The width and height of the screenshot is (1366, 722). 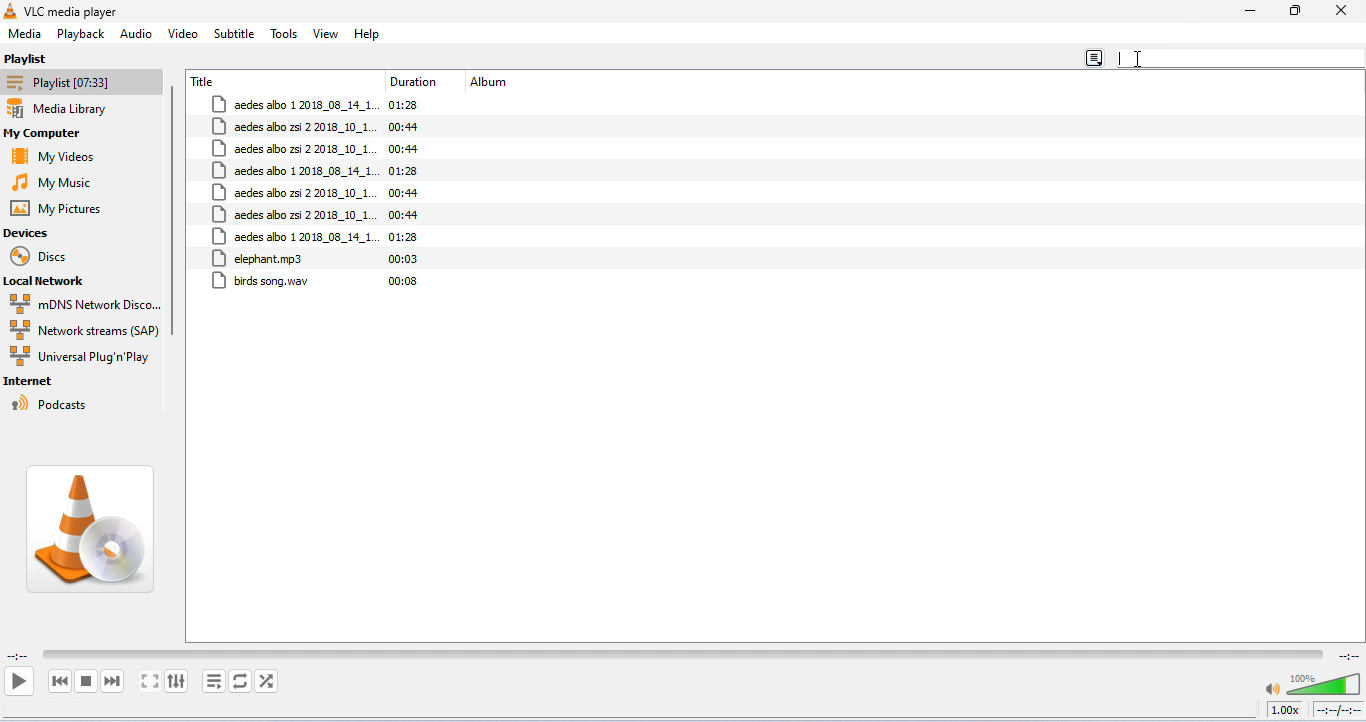 I want to click on 1.00x, so click(x=1284, y=709).